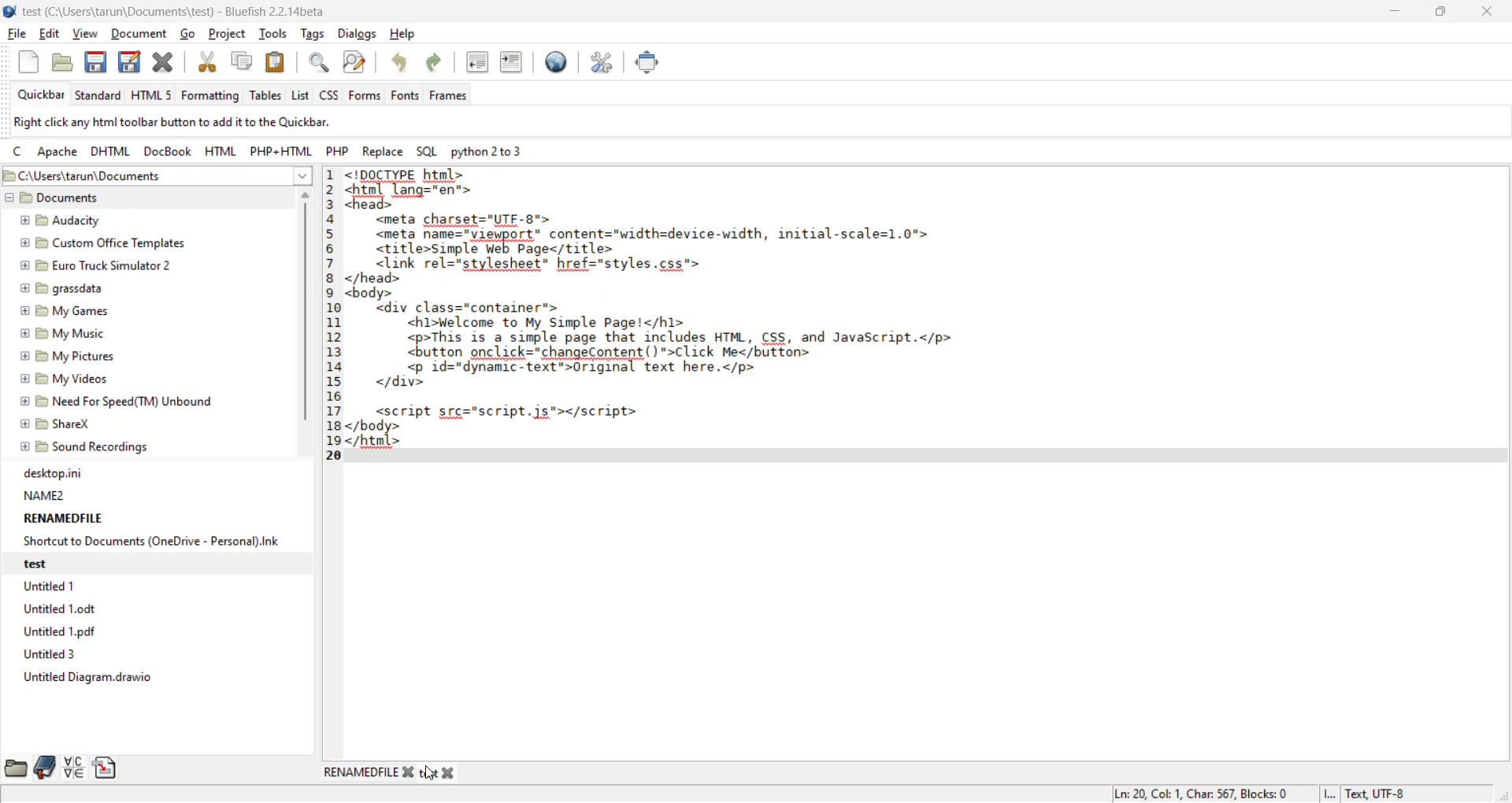 The height and width of the screenshot is (803, 1512). What do you see at coordinates (1440, 13) in the screenshot?
I see `maximize` at bounding box center [1440, 13].